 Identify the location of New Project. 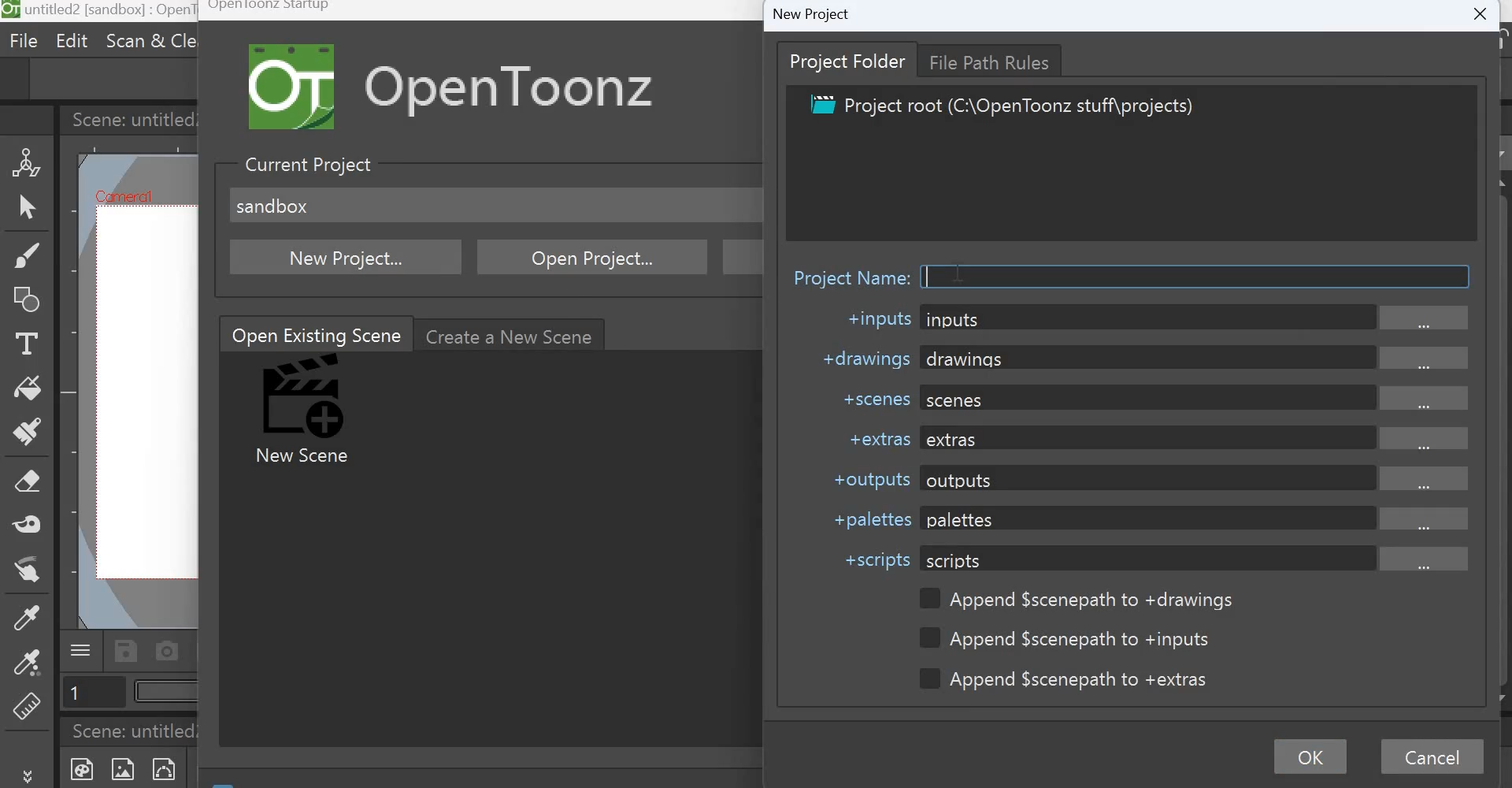
(811, 13).